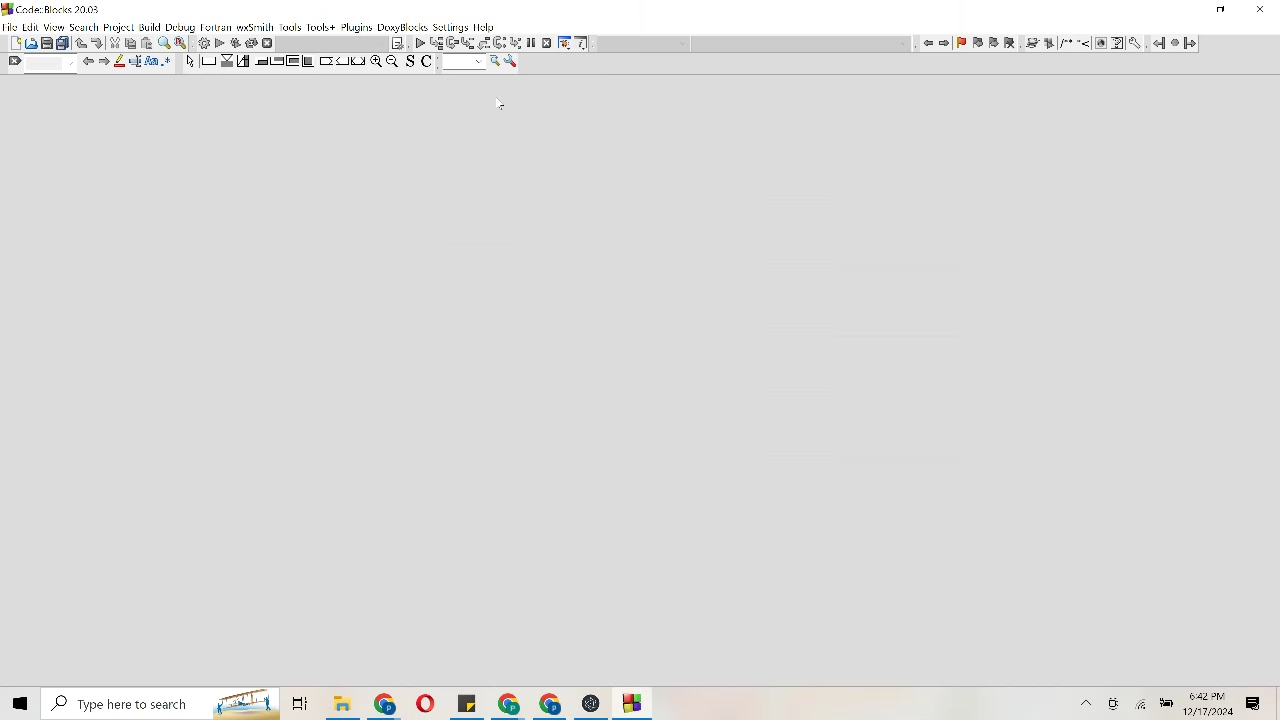 The image size is (1280, 720). What do you see at coordinates (84, 26) in the screenshot?
I see `Search` at bounding box center [84, 26].